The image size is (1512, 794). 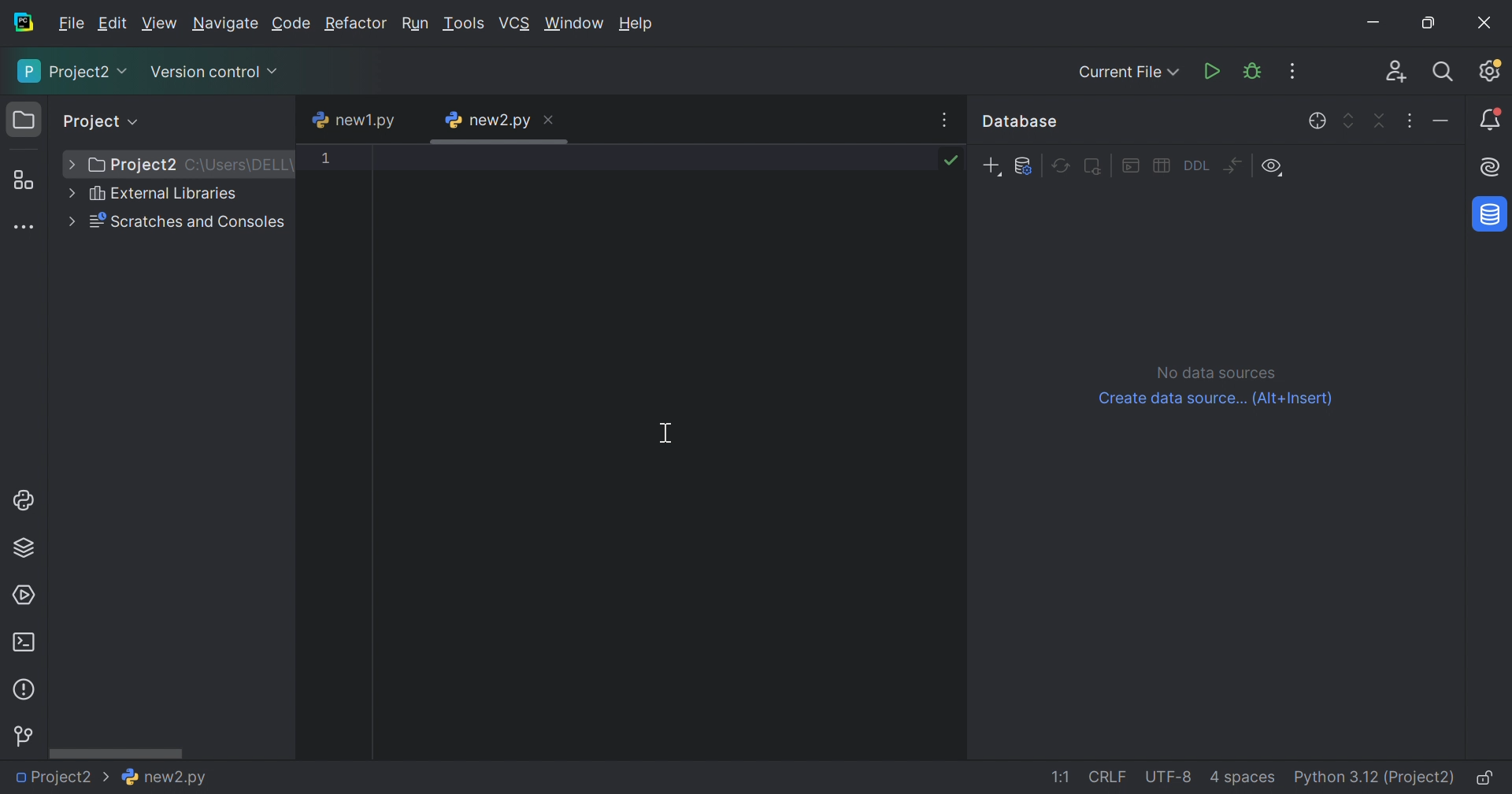 I want to click on Structure, so click(x=22, y=180).